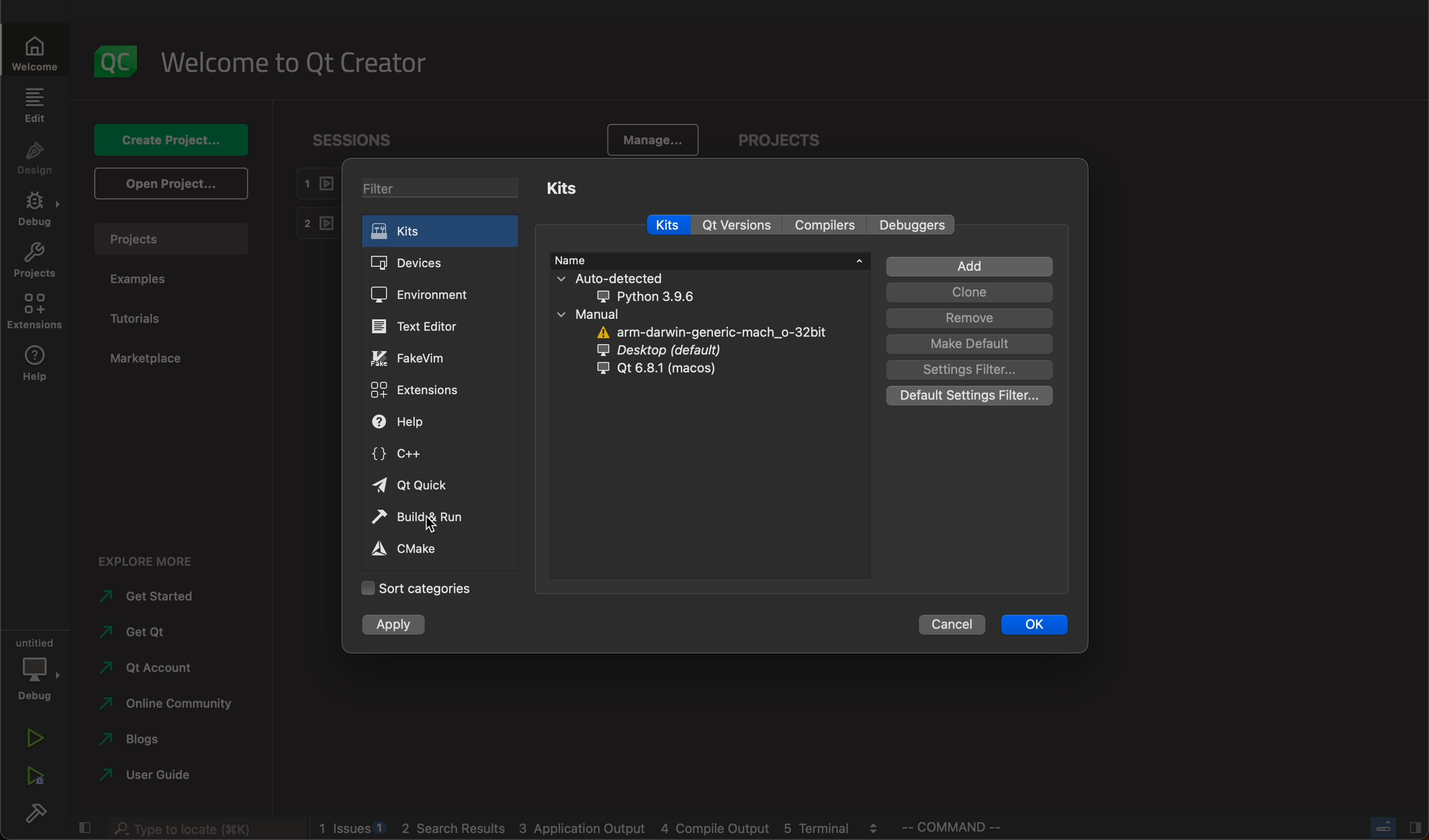  Describe the element at coordinates (711, 261) in the screenshot. I see `name` at that location.